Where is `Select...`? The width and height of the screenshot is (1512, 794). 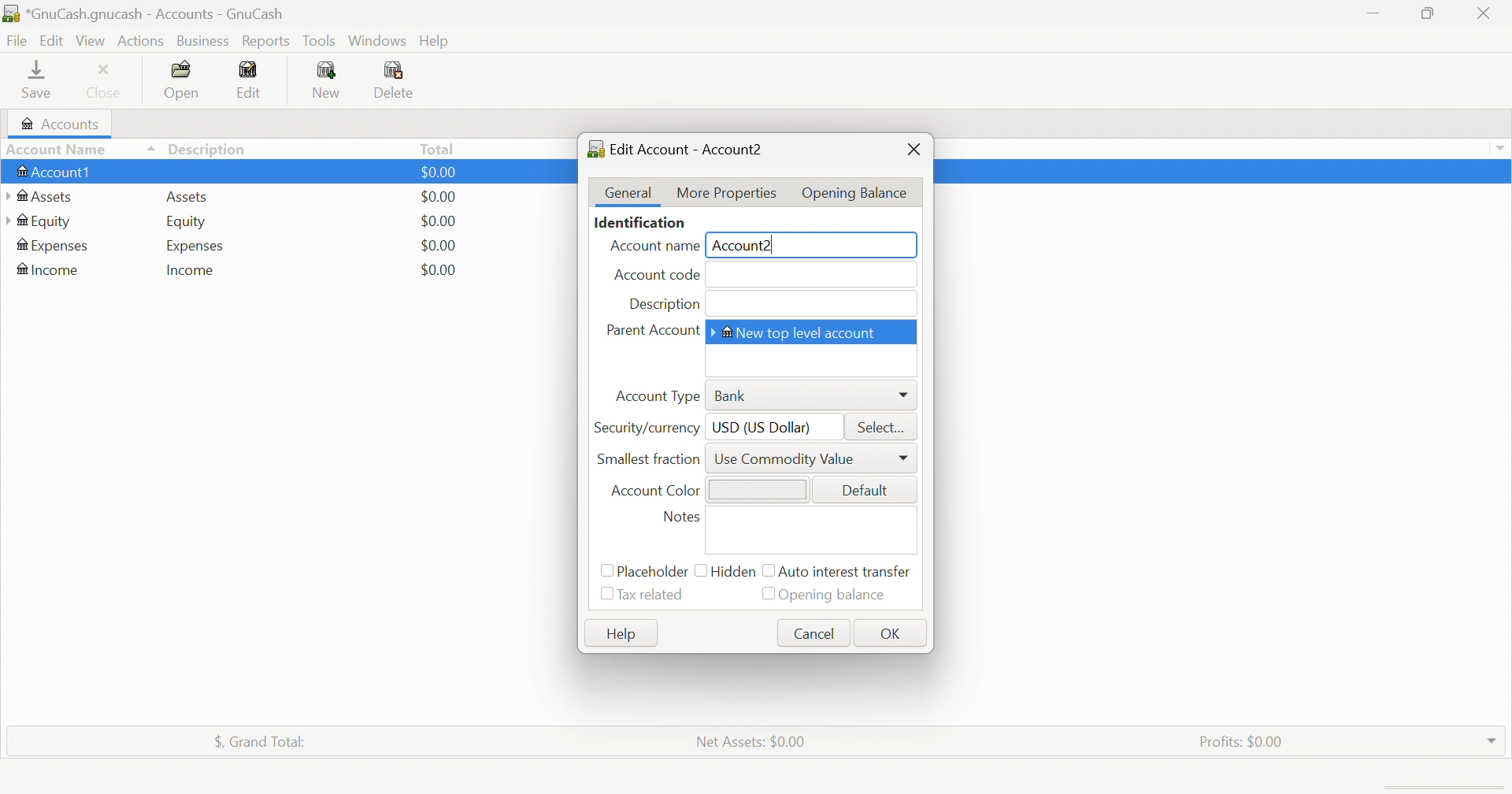
Select... is located at coordinates (883, 429).